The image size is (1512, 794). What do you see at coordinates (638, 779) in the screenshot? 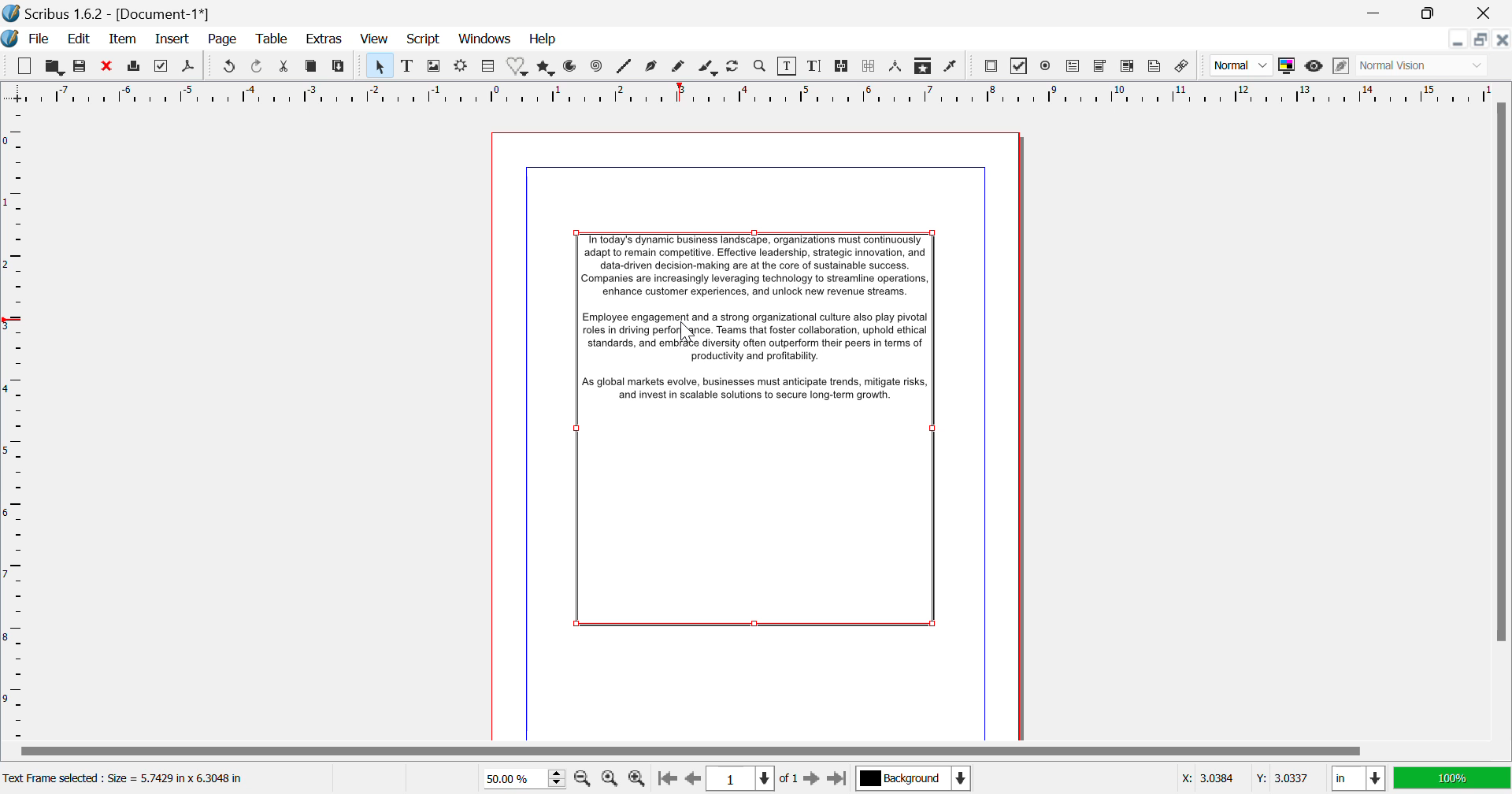
I see `Zoom In` at bounding box center [638, 779].